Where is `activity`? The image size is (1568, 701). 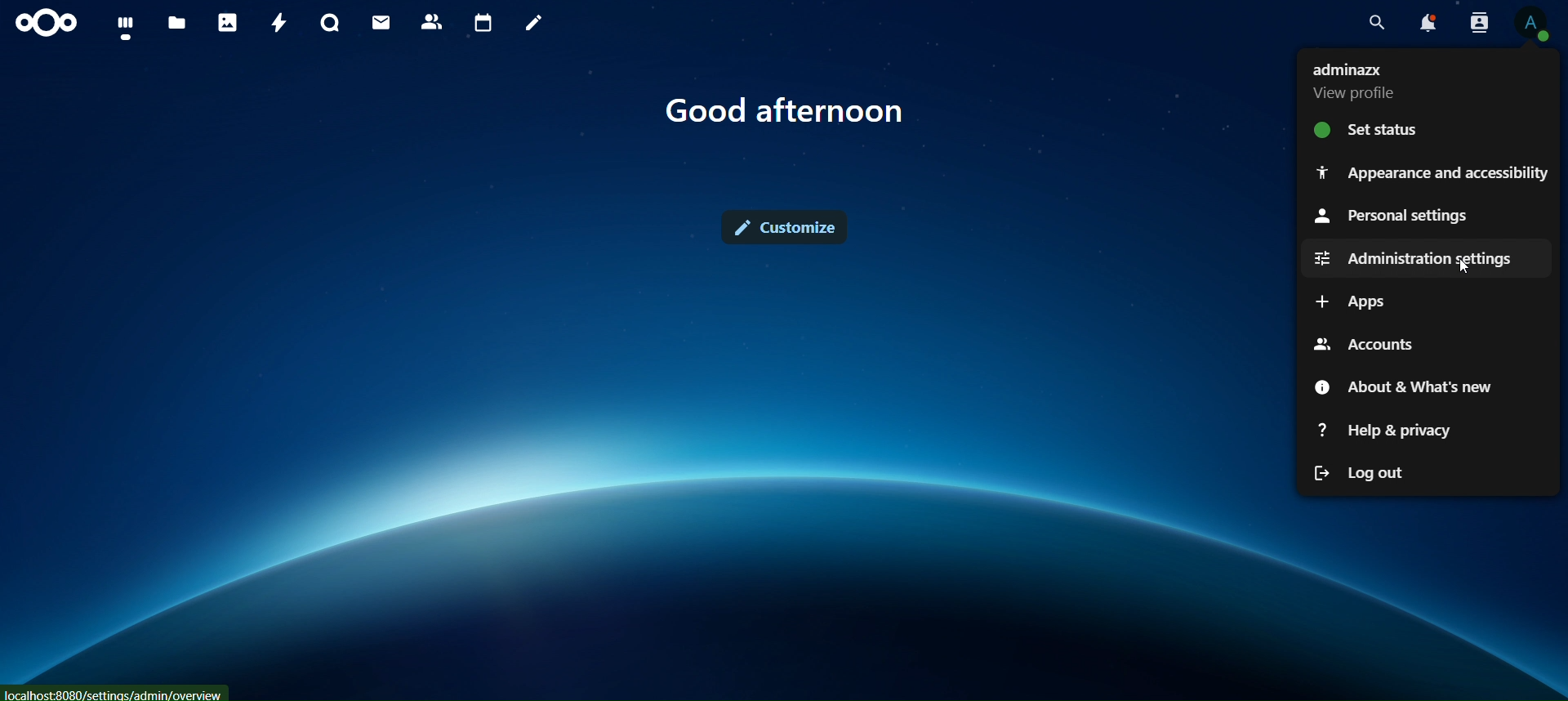 activity is located at coordinates (275, 24).